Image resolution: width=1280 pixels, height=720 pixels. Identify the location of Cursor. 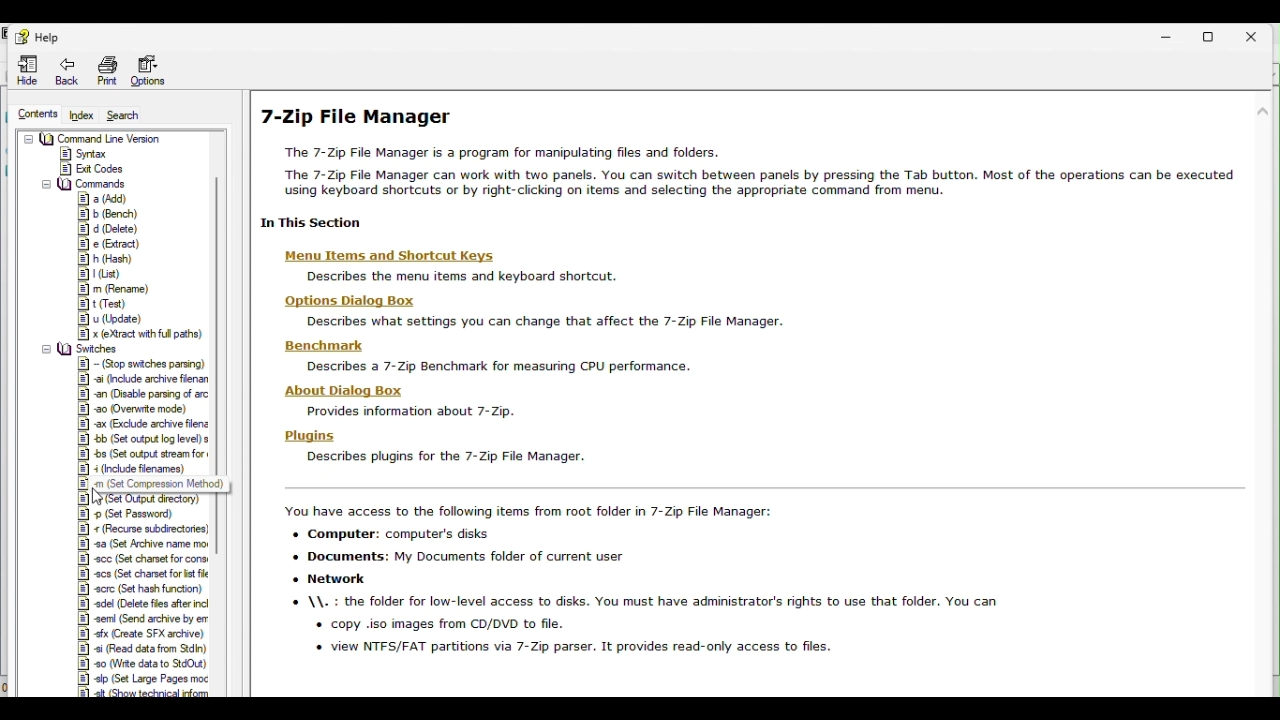
(101, 495).